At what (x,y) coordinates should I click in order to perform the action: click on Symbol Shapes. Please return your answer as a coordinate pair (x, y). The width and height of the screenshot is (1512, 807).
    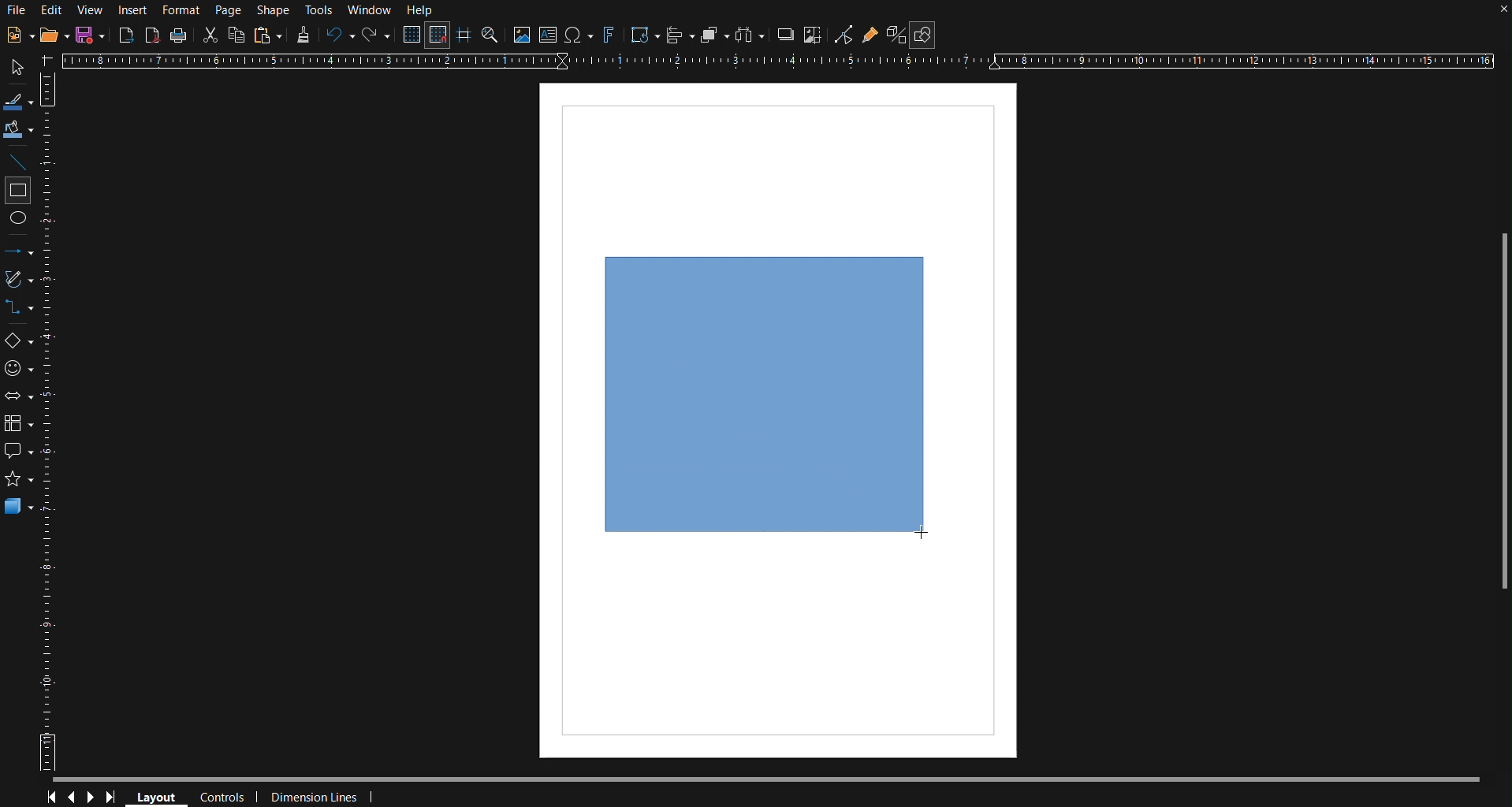
    Looking at the image, I should click on (19, 369).